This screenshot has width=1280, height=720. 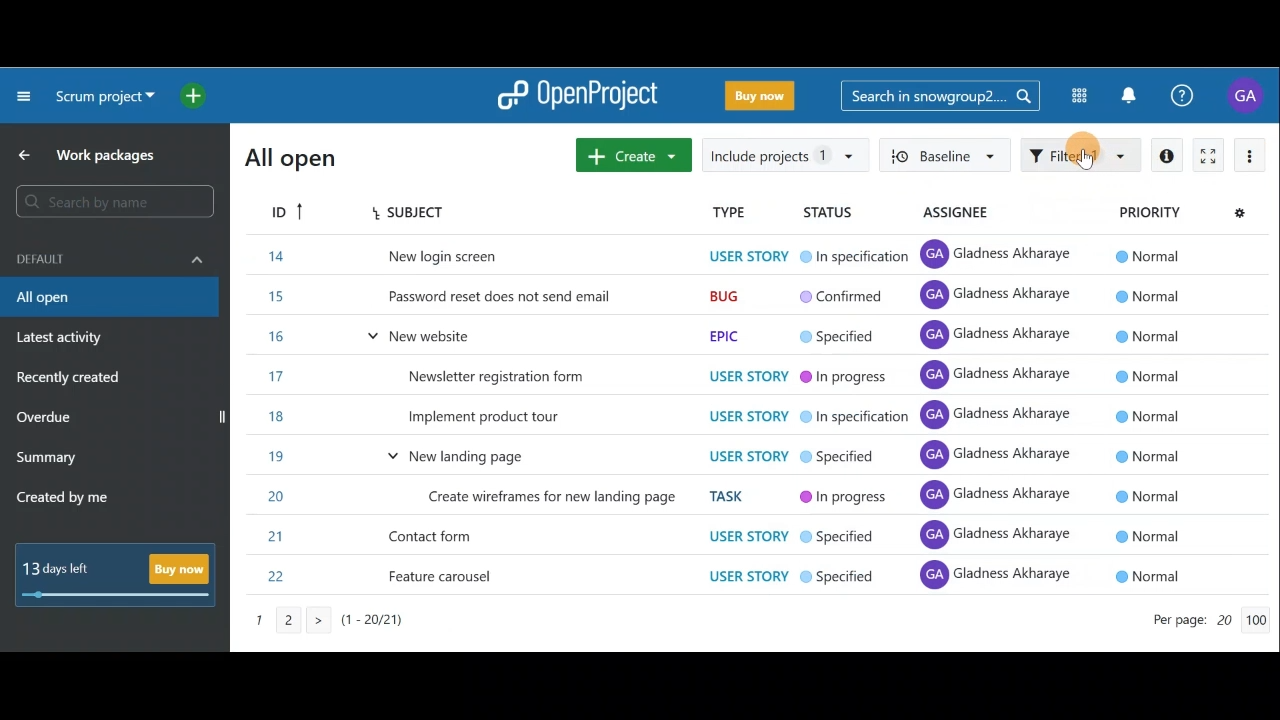 I want to click on Subject, so click(x=410, y=213).